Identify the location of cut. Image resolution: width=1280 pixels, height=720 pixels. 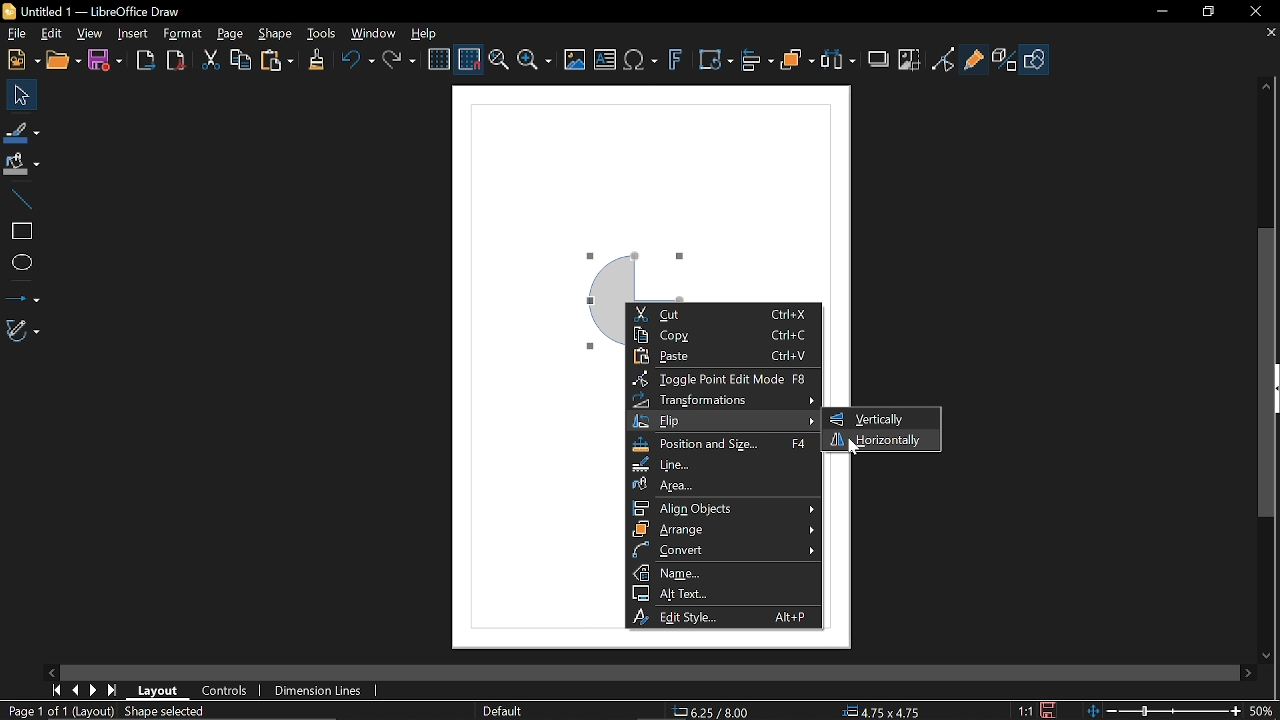
(207, 60).